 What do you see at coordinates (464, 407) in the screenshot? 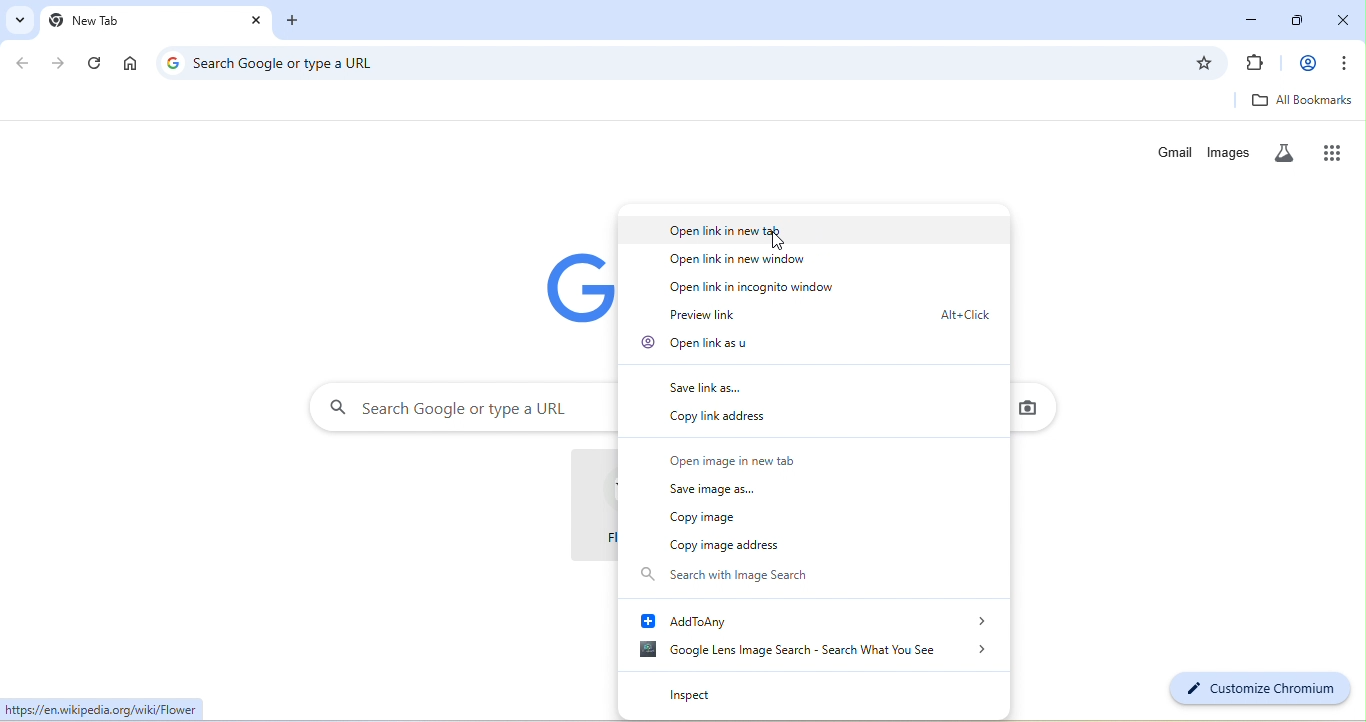
I see `search google` at bounding box center [464, 407].